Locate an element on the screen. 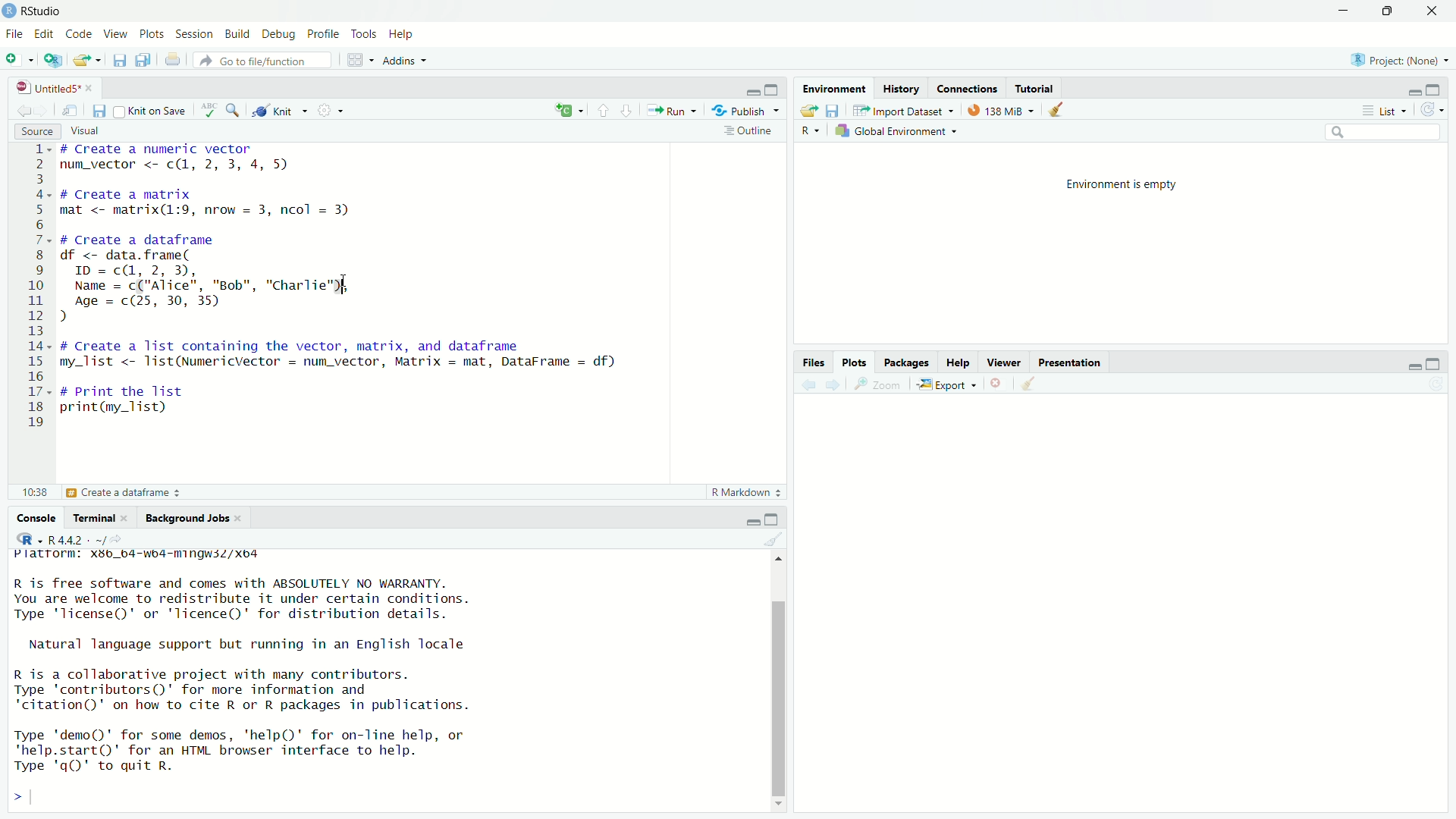 This screenshot has height=819, width=1456. close is located at coordinates (1003, 384).